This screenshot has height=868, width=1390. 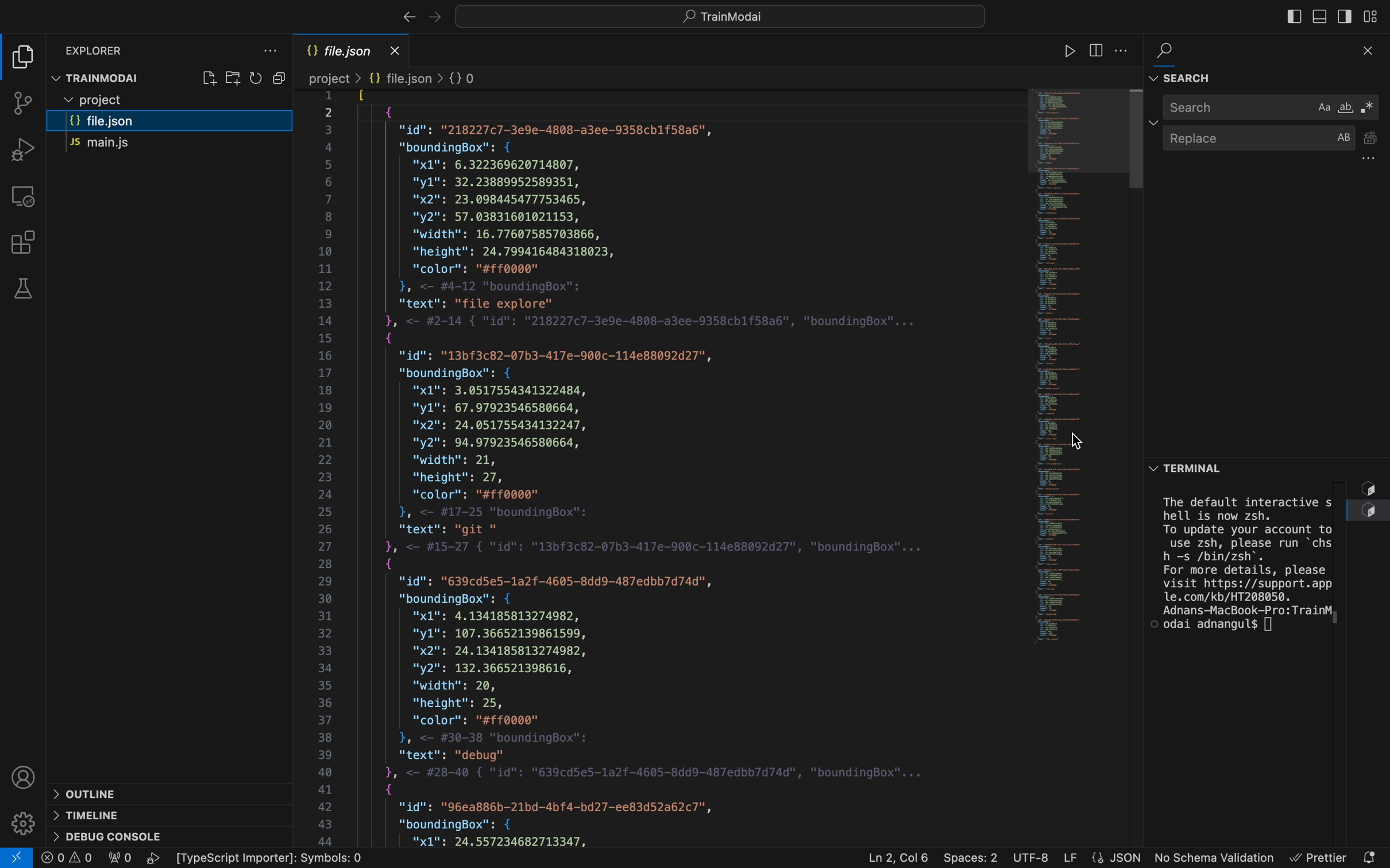 I want to click on debug, so click(x=118, y=838).